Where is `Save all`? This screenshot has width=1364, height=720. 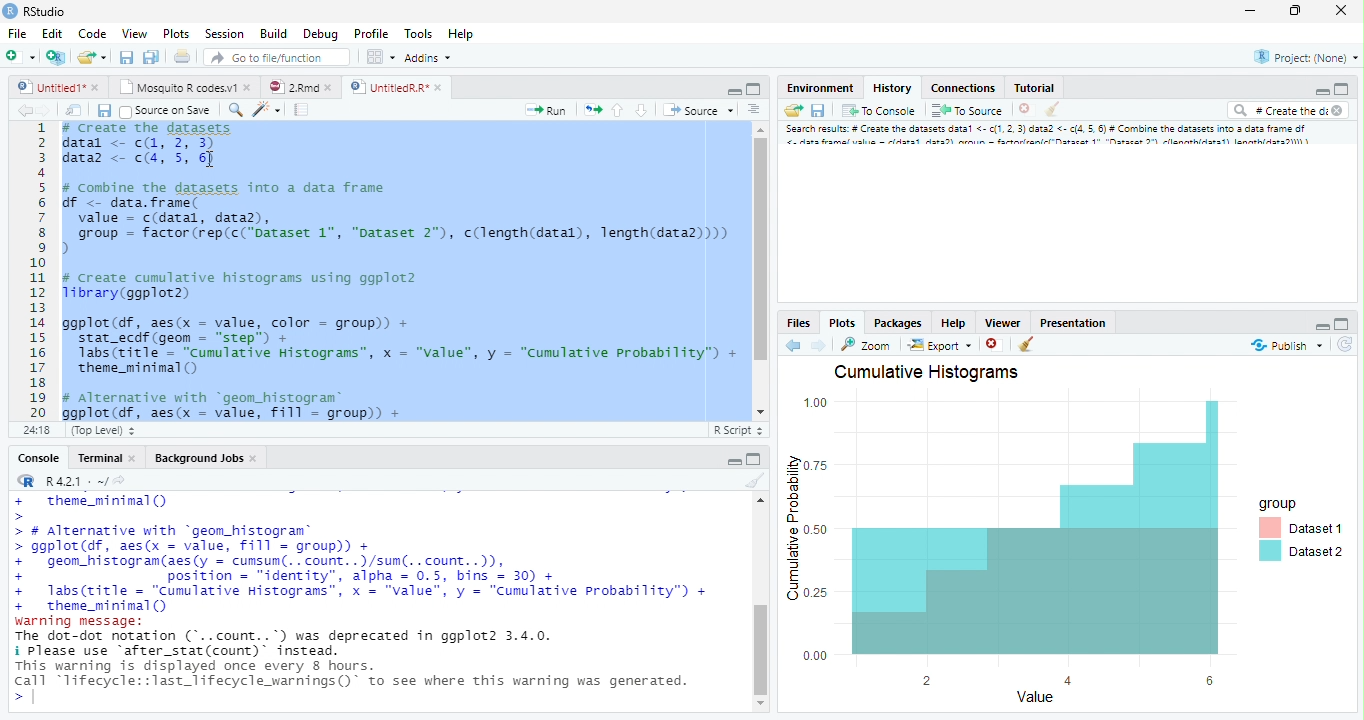
Save all is located at coordinates (151, 57).